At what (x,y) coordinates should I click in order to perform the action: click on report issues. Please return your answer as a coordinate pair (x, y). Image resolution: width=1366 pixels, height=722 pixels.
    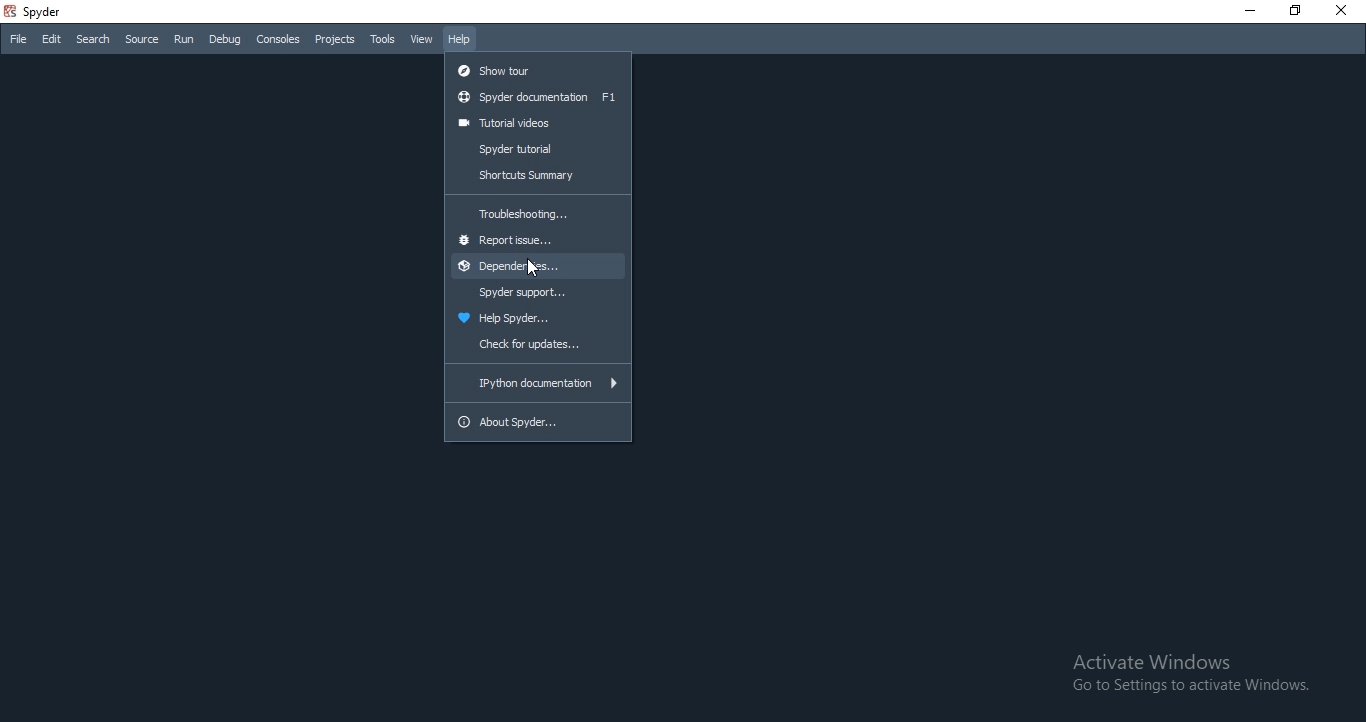
    Looking at the image, I should click on (537, 242).